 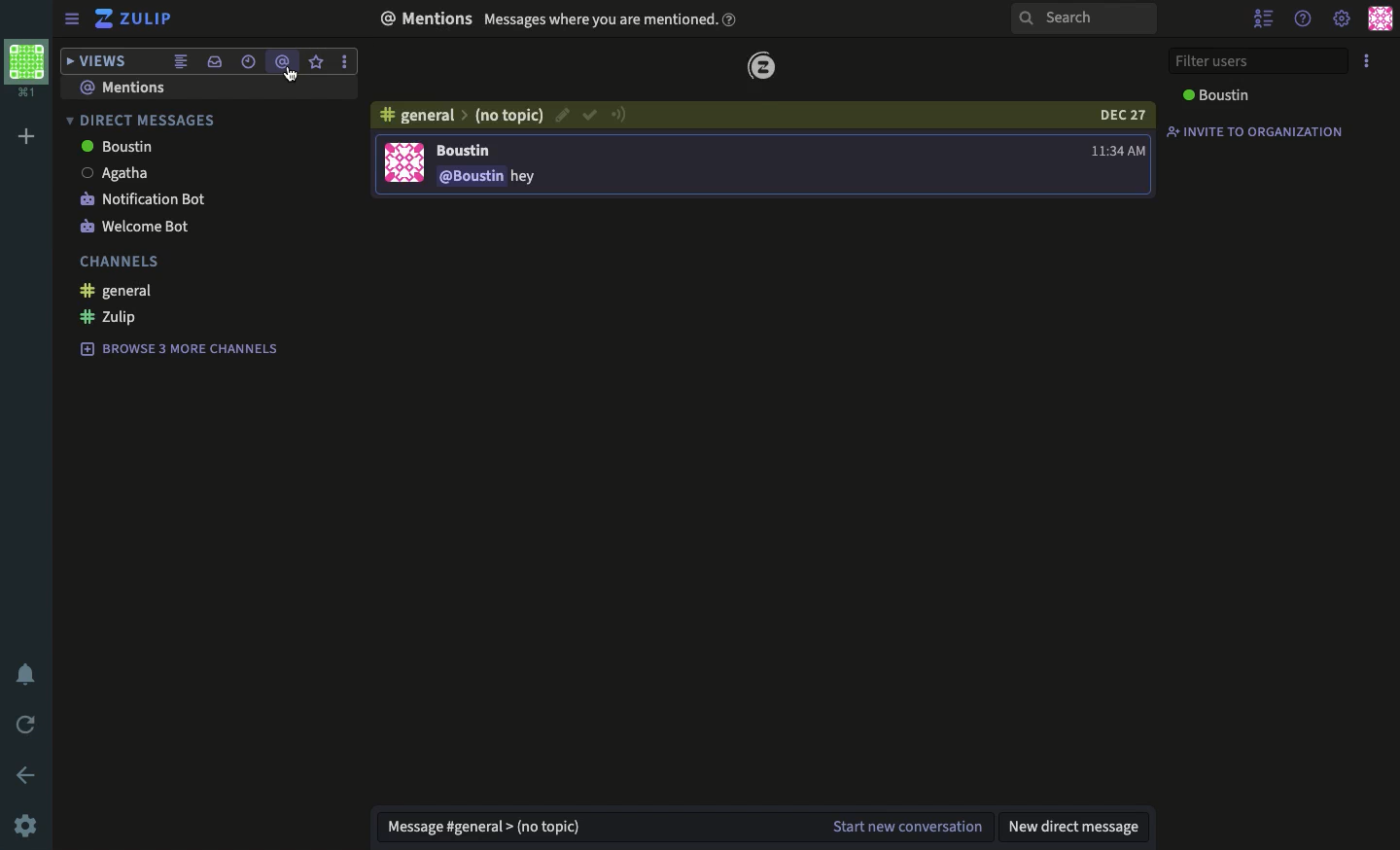 What do you see at coordinates (292, 79) in the screenshot?
I see `cursor` at bounding box center [292, 79].